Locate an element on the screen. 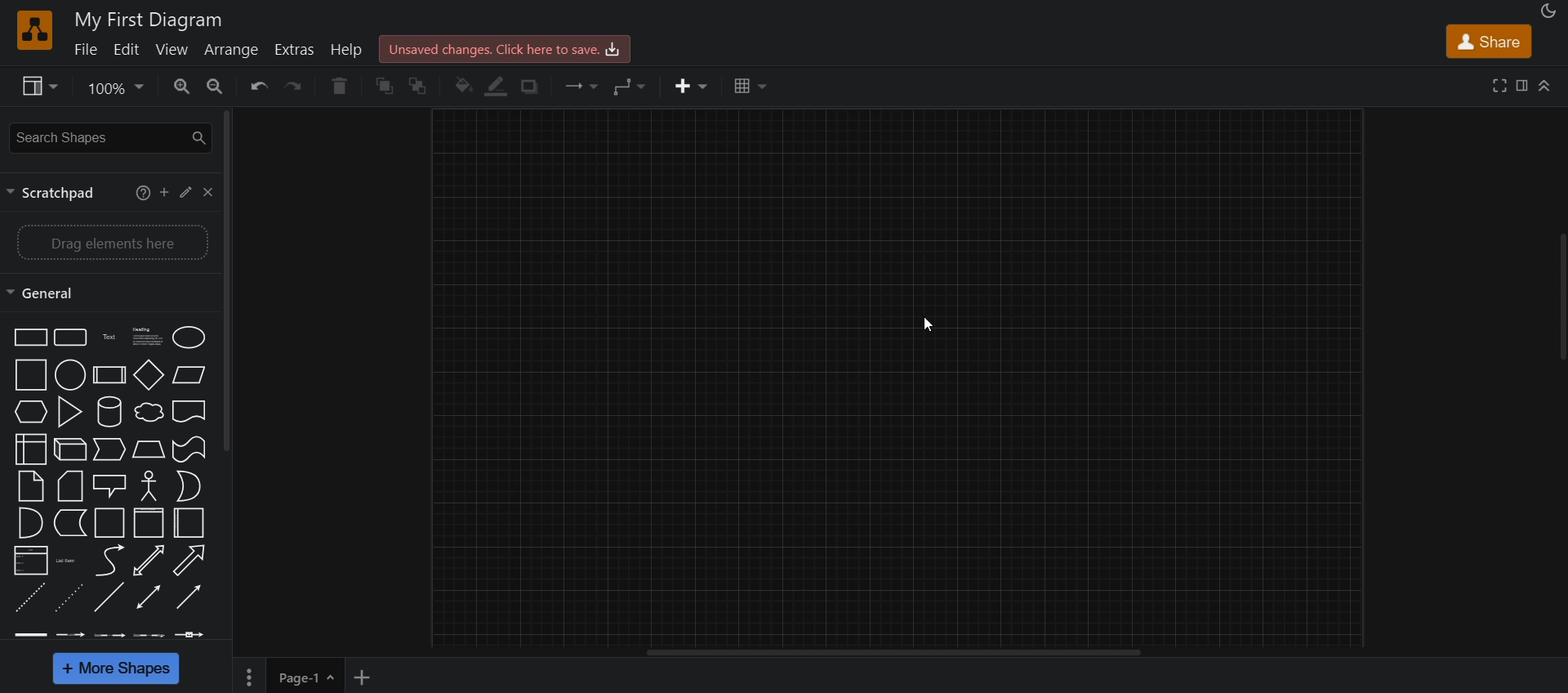 This screenshot has width=1568, height=693. shadow is located at coordinates (535, 87).